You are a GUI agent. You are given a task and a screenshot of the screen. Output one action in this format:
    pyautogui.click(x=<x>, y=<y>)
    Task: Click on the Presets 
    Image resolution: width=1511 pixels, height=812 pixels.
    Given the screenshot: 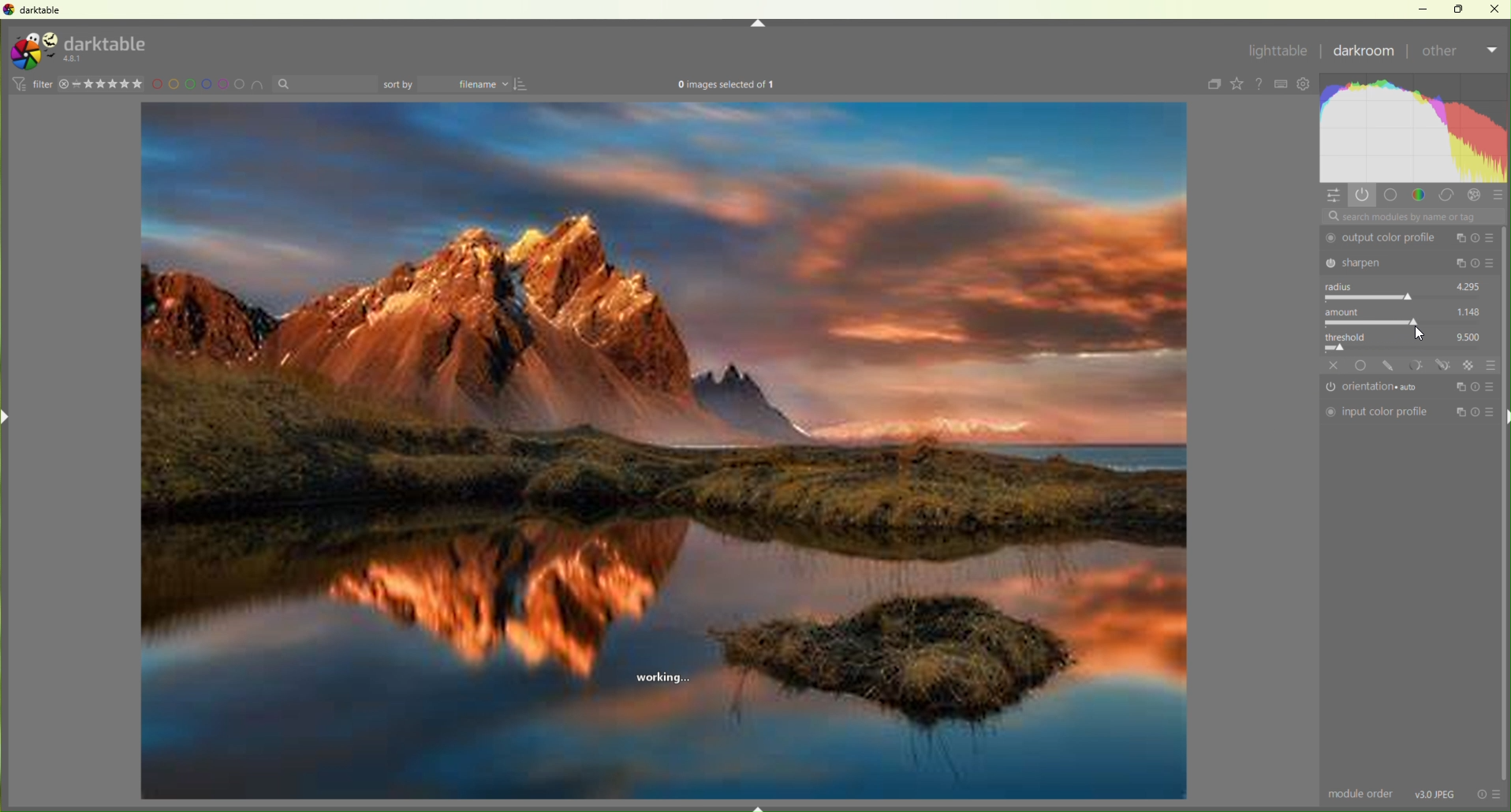 What is the action you would take?
    pyautogui.click(x=1491, y=364)
    